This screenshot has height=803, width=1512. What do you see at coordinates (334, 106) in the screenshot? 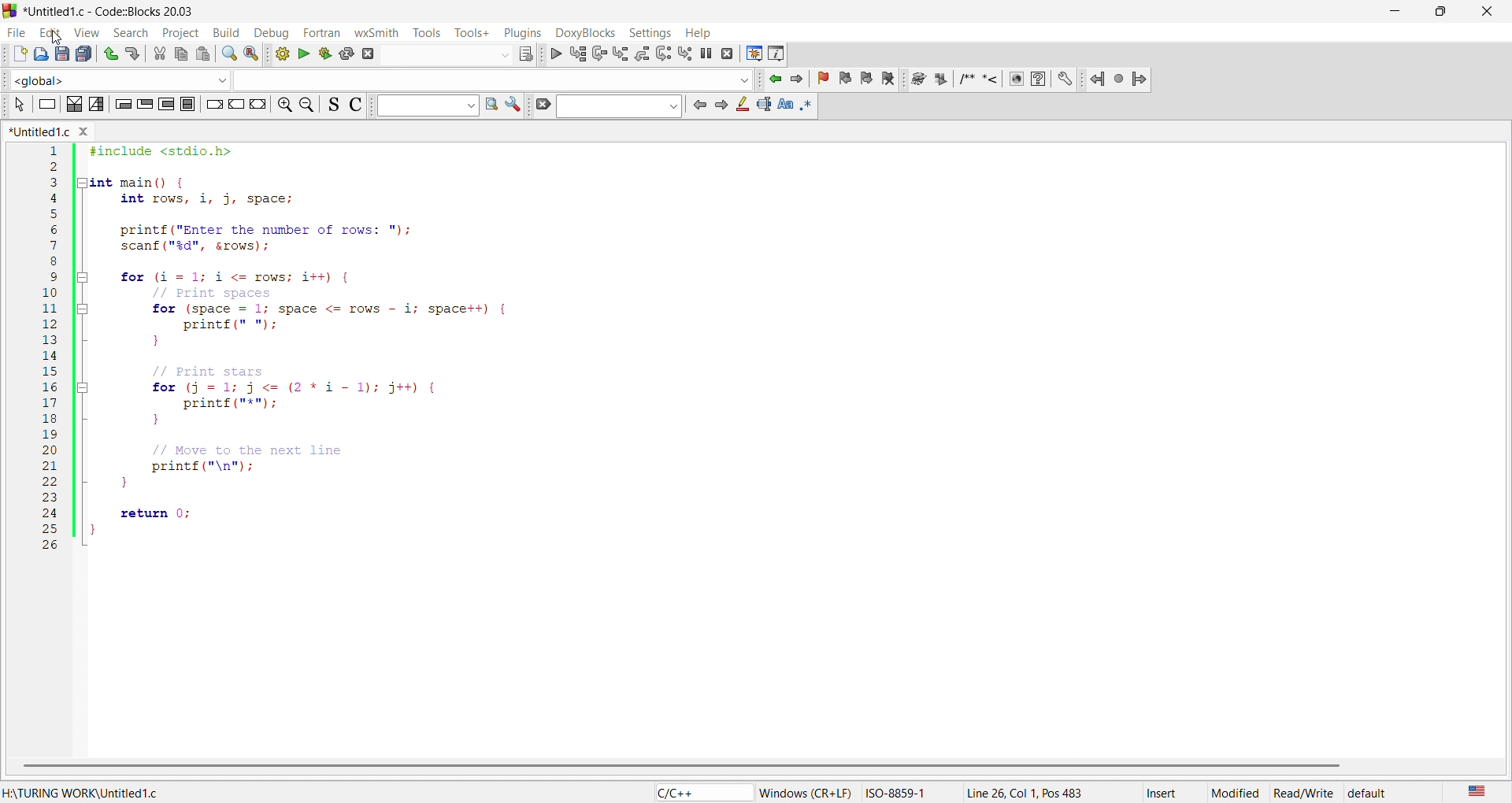
I see `icon` at bounding box center [334, 106].